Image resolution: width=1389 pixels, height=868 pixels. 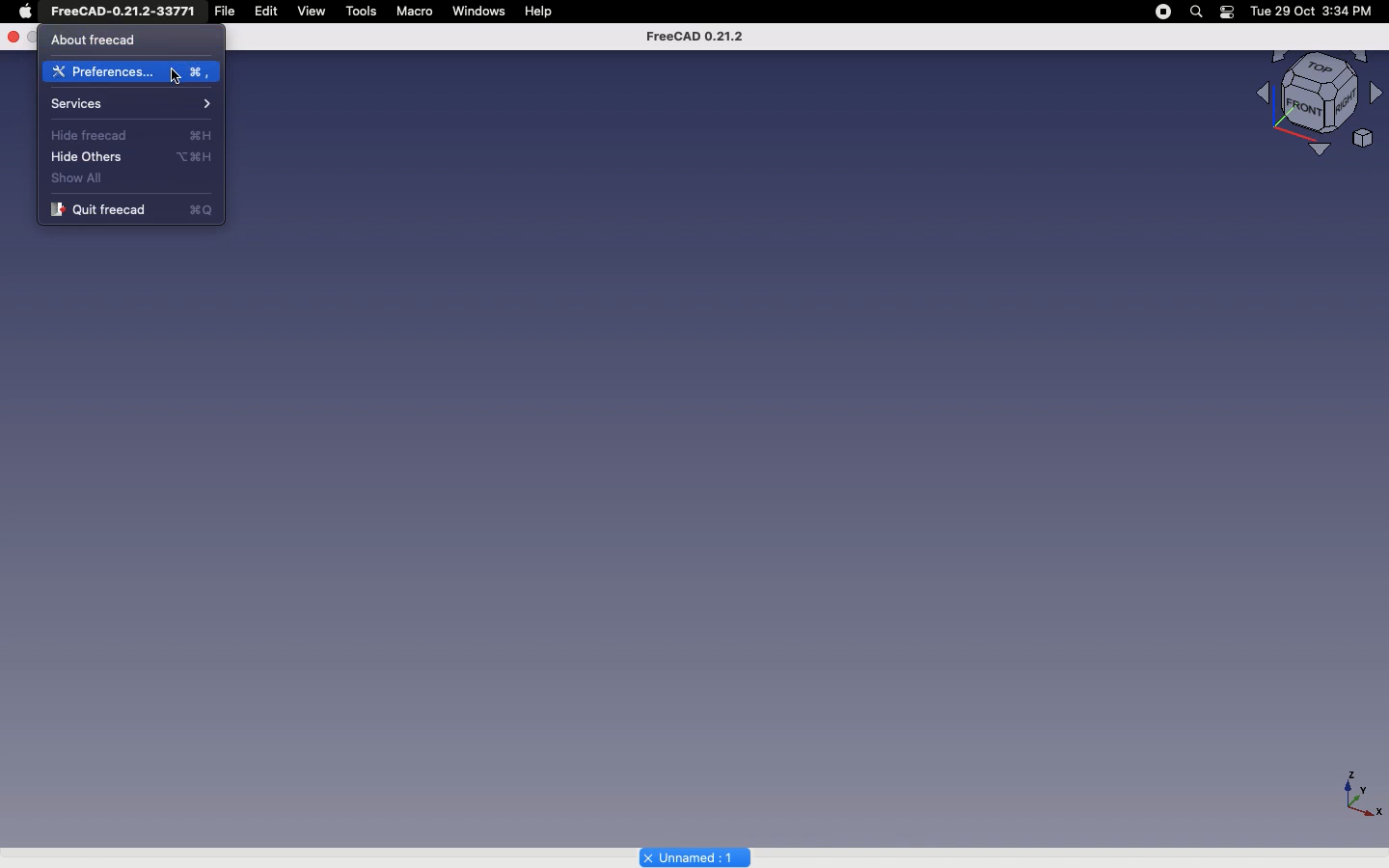 I want to click on Cursor, so click(x=177, y=72).